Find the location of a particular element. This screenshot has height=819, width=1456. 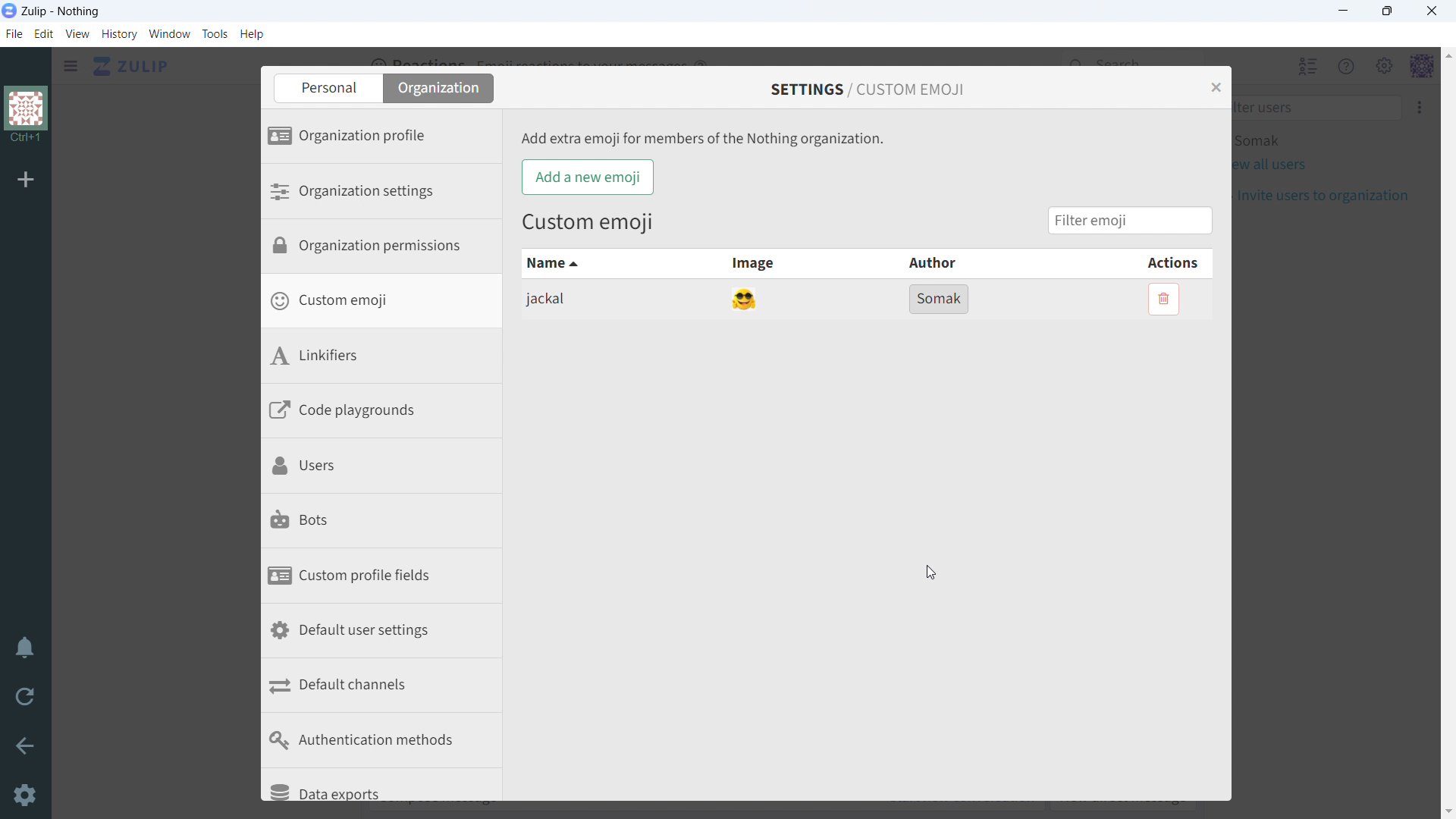

emoji is located at coordinates (745, 300).